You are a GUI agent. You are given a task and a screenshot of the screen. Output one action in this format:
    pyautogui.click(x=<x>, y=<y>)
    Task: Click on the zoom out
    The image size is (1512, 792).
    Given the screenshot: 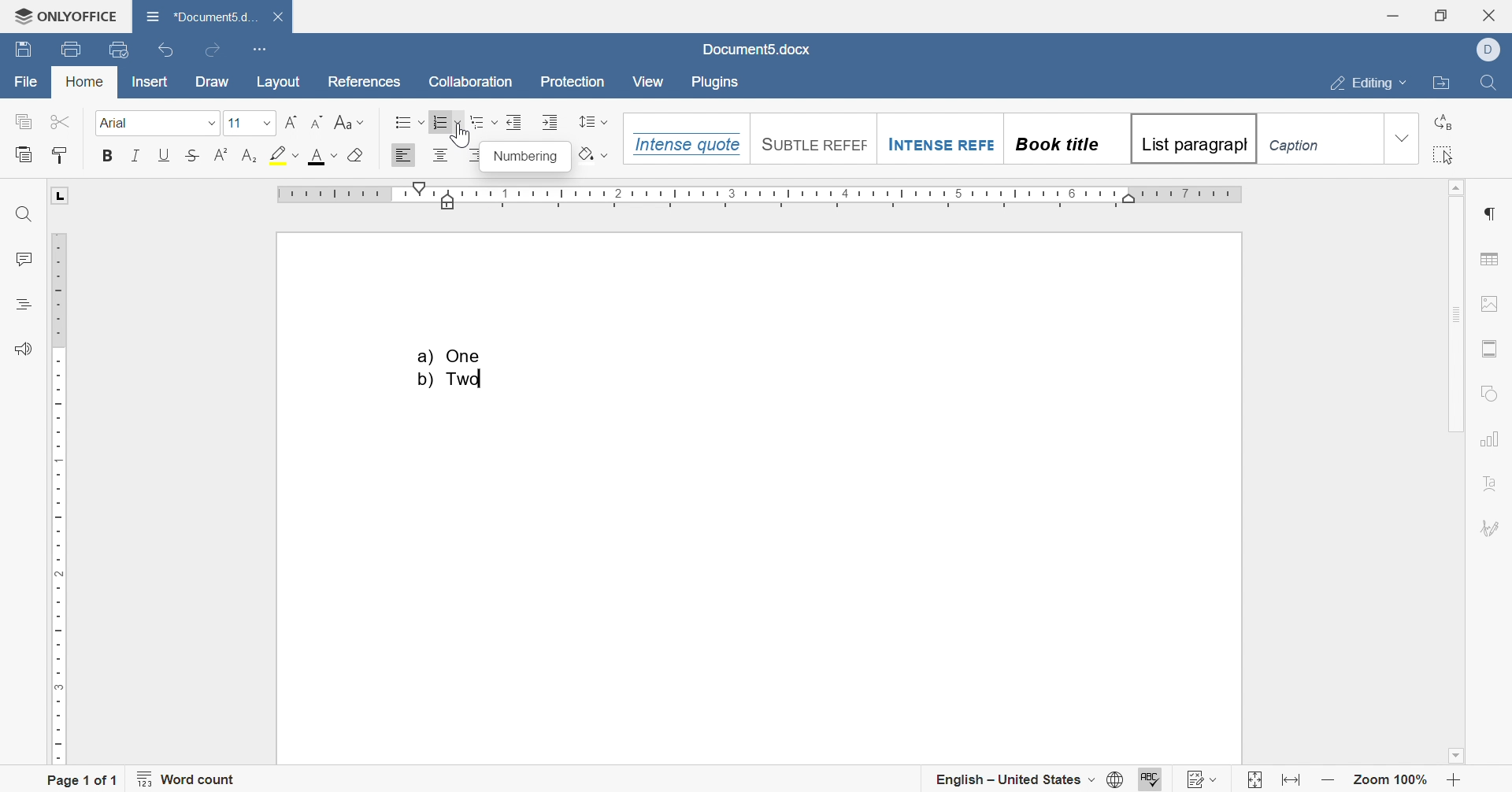 What is the action you would take?
    pyautogui.click(x=1330, y=780)
    